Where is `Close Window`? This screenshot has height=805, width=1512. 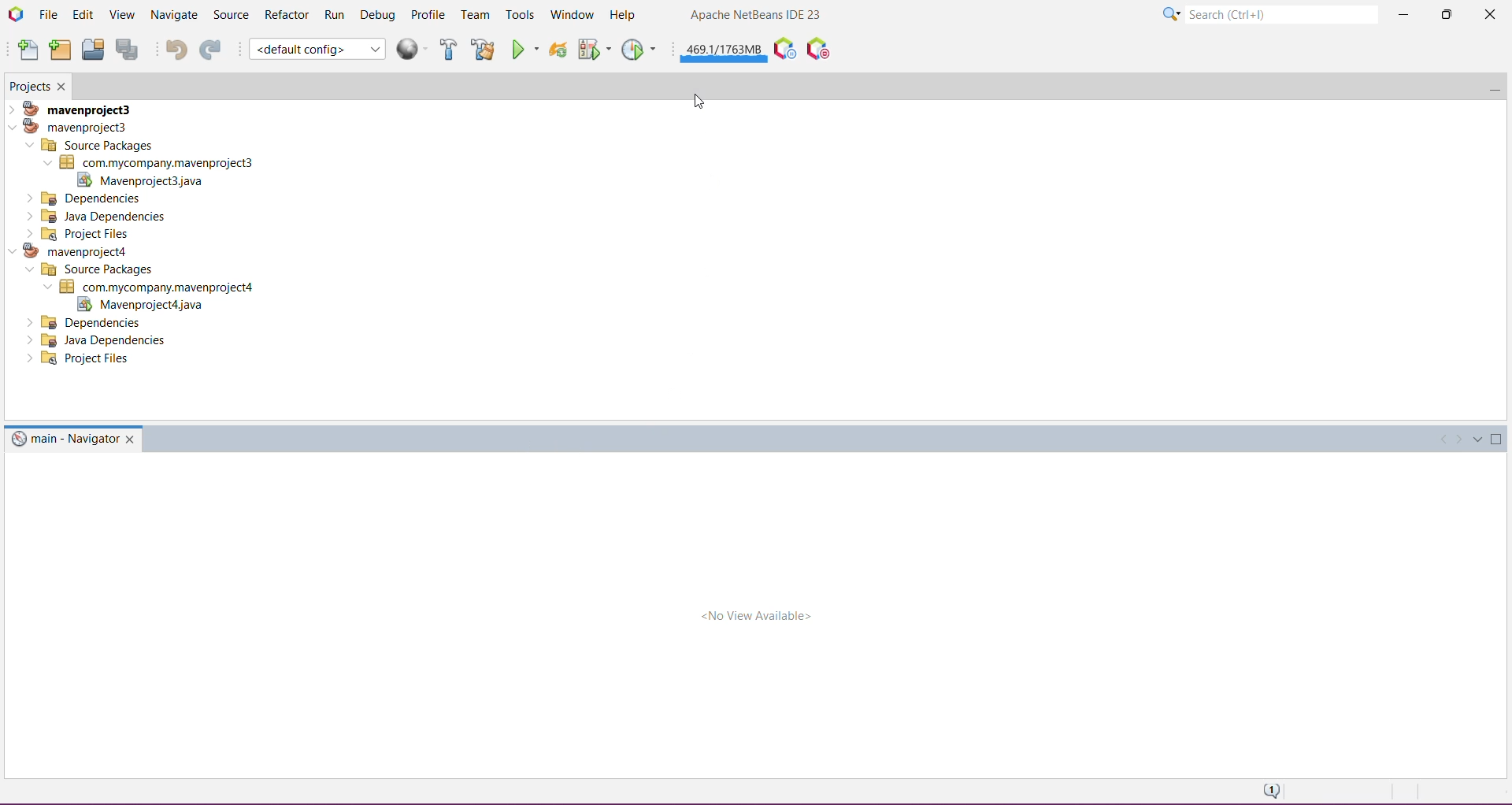 Close Window is located at coordinates (64, 86).